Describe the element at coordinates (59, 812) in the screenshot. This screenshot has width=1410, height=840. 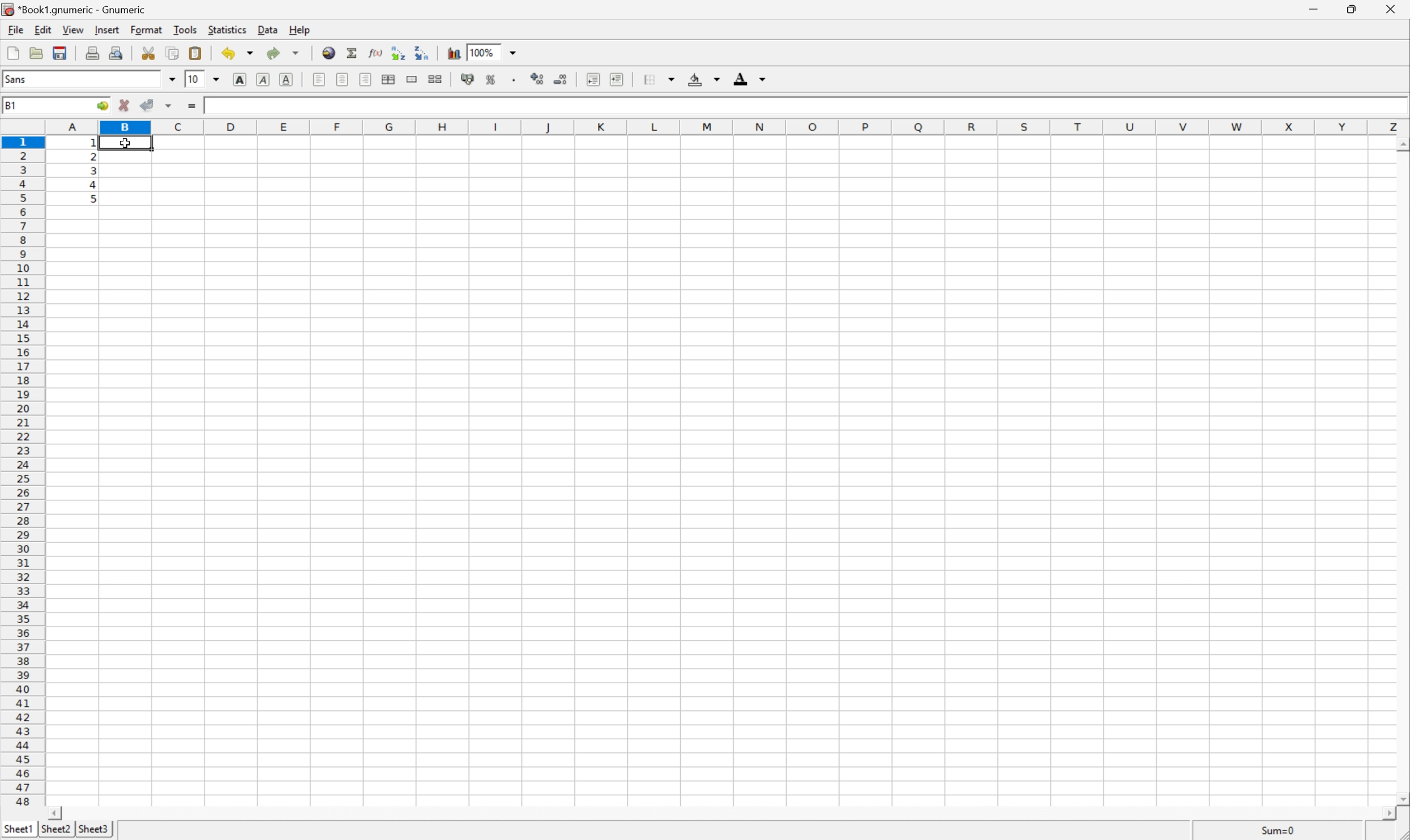
I see `Scroll Left` at that location.